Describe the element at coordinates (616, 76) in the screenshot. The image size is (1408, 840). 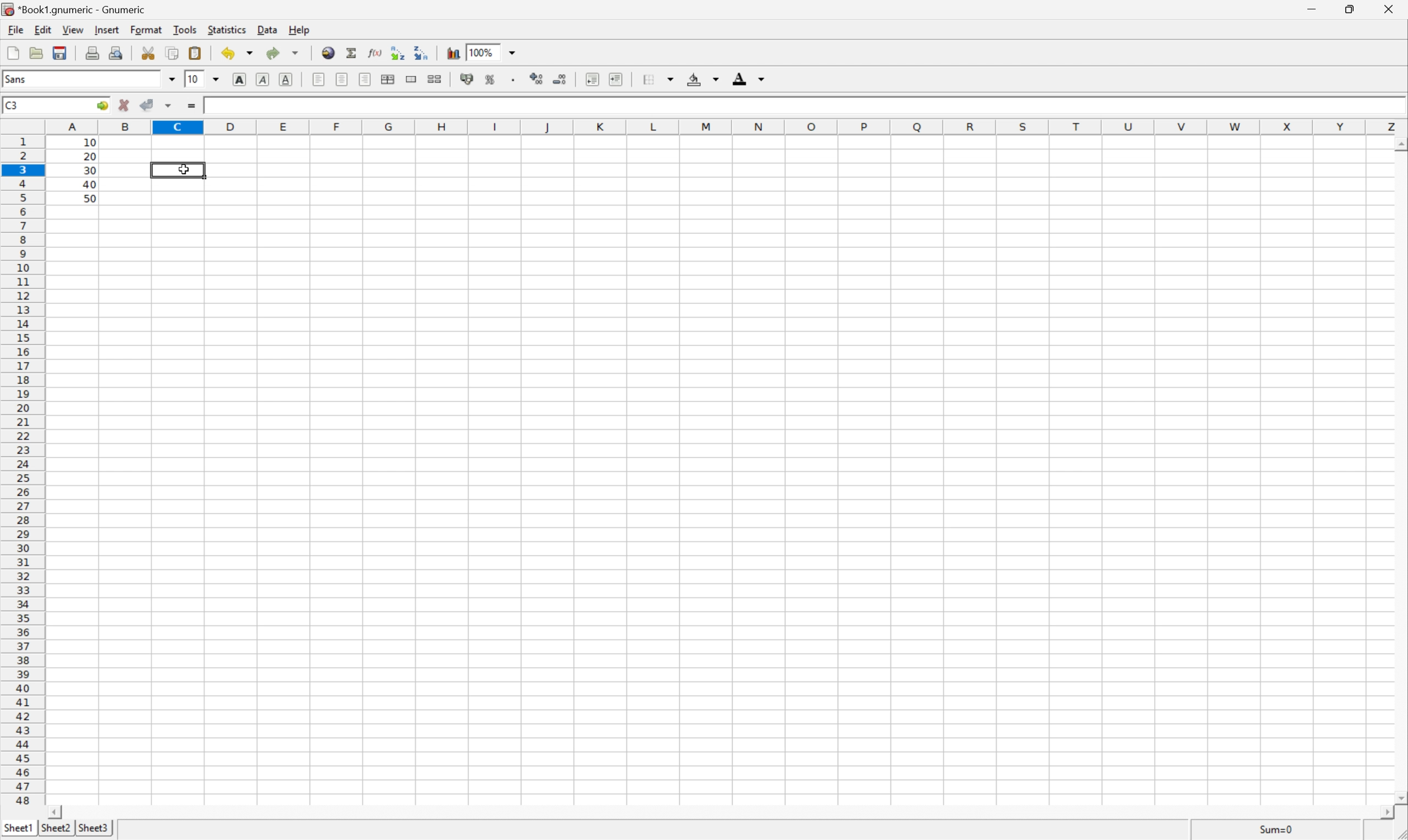
I see `Increase the indent, and align the contents to the left` at that location.